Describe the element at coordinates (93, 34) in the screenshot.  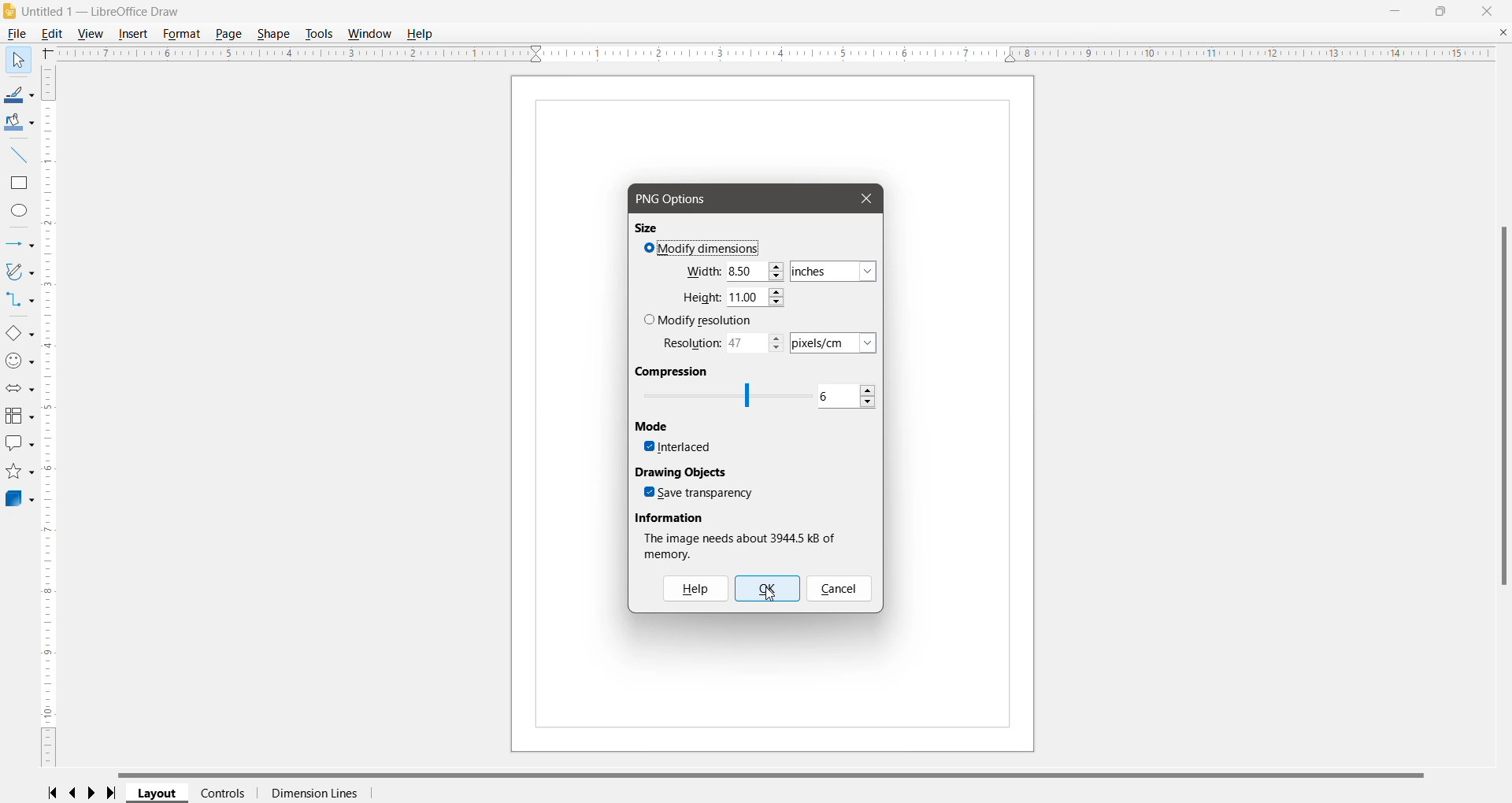
I see `View` at that location.